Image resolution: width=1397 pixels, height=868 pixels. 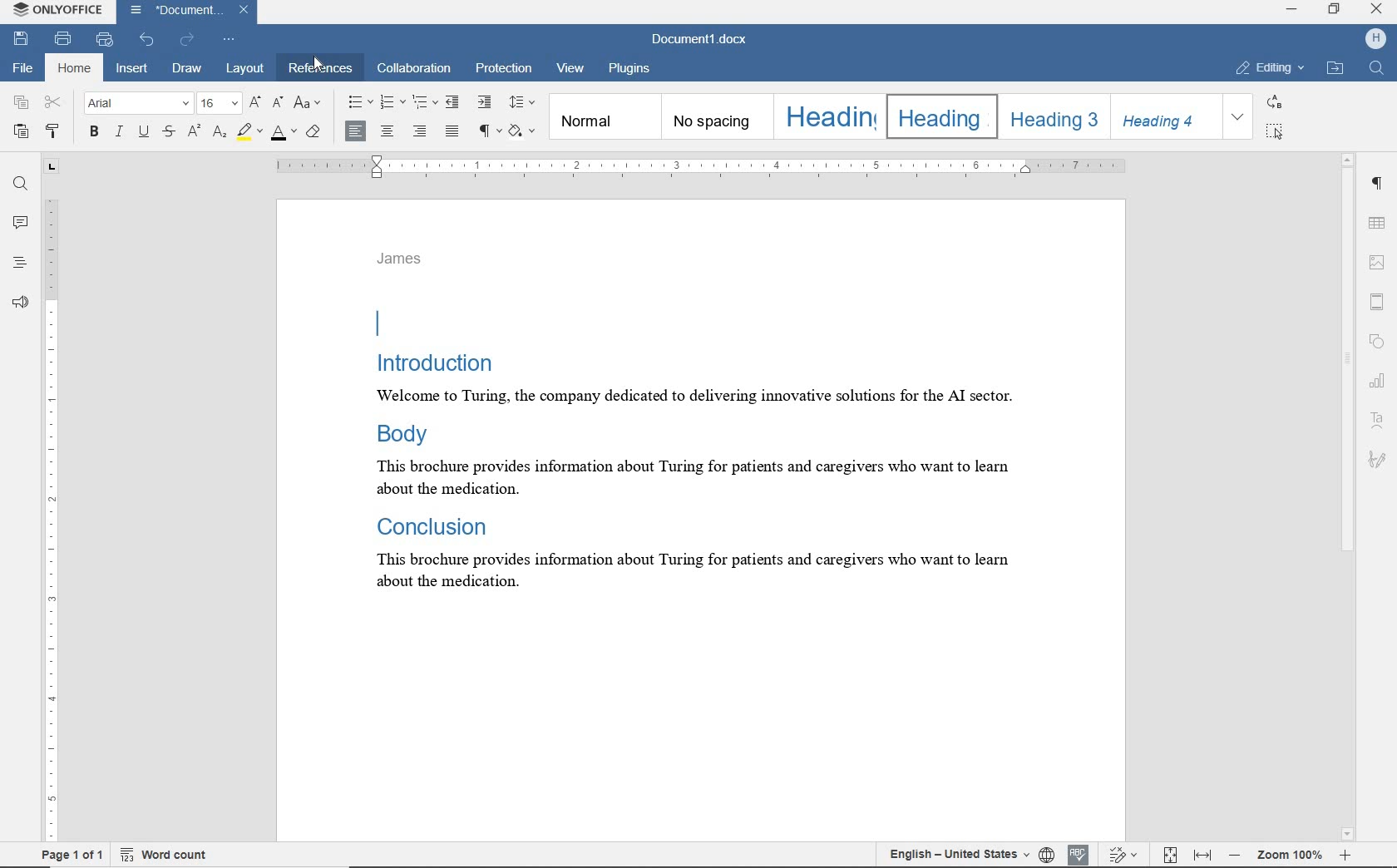 I want to click on document name, so click(x=187, y=11).